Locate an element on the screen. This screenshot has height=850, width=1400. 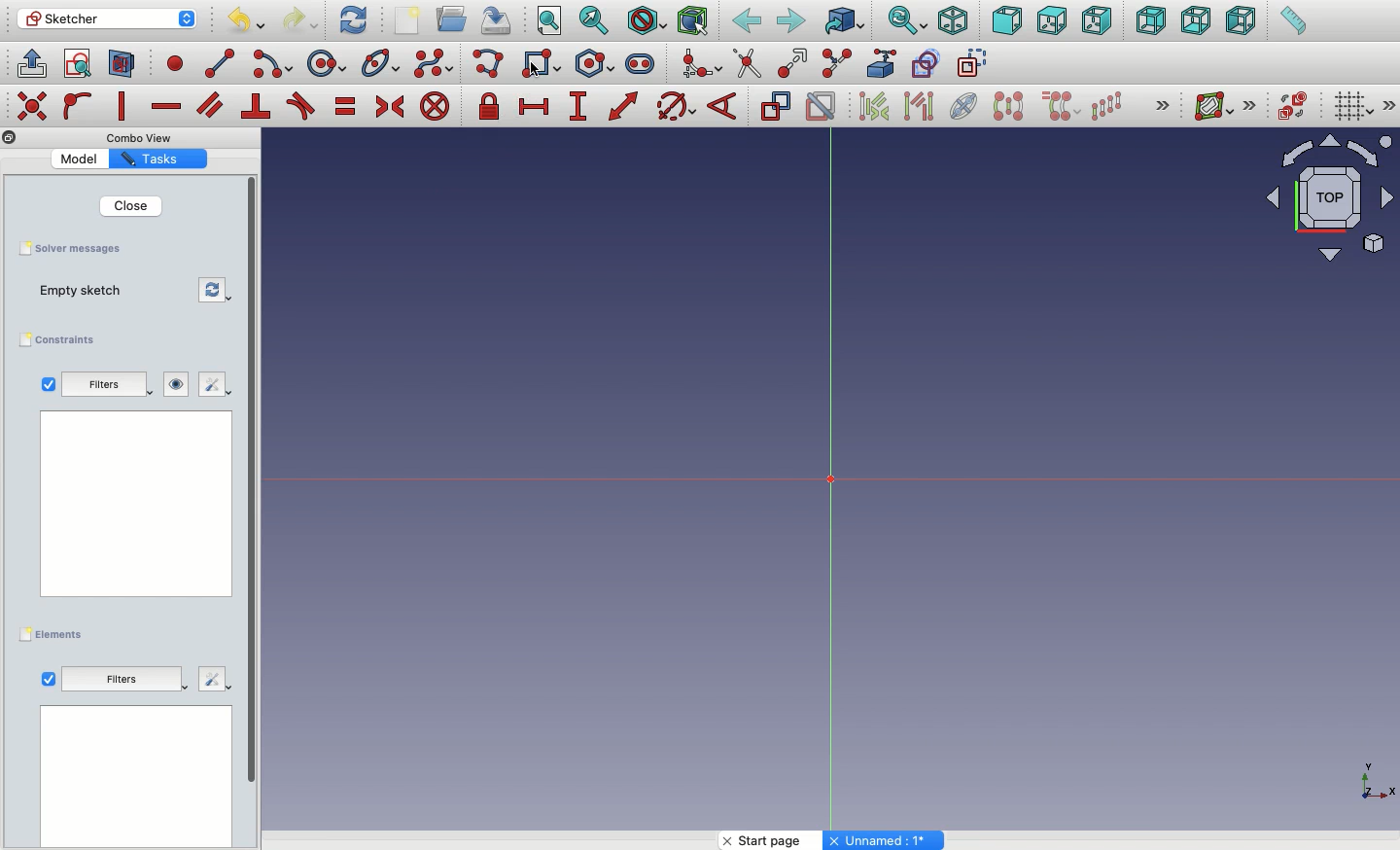
Combo View is located at coordinates (140, 137).